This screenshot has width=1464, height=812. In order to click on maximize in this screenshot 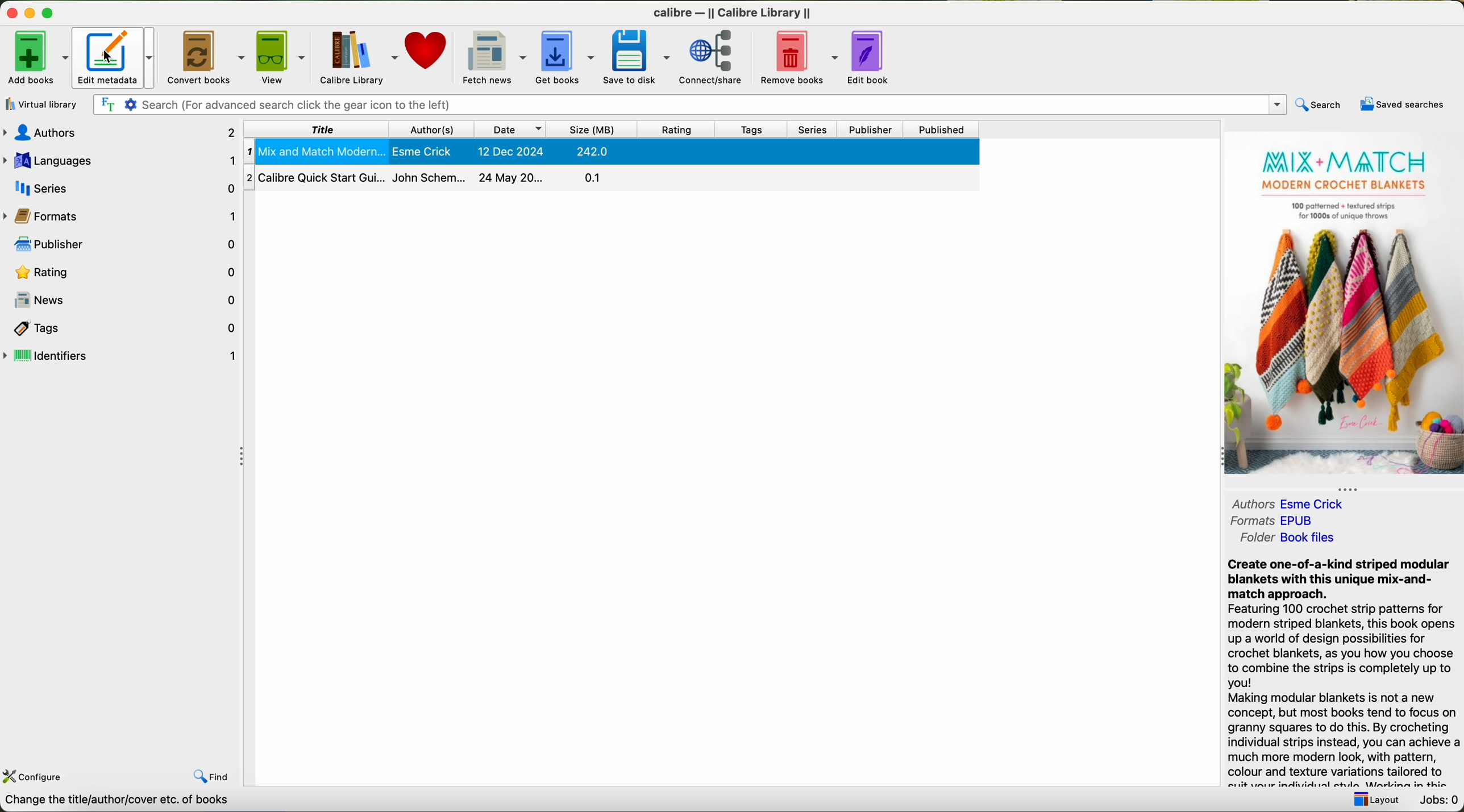, I will do `click(52, 14)`.